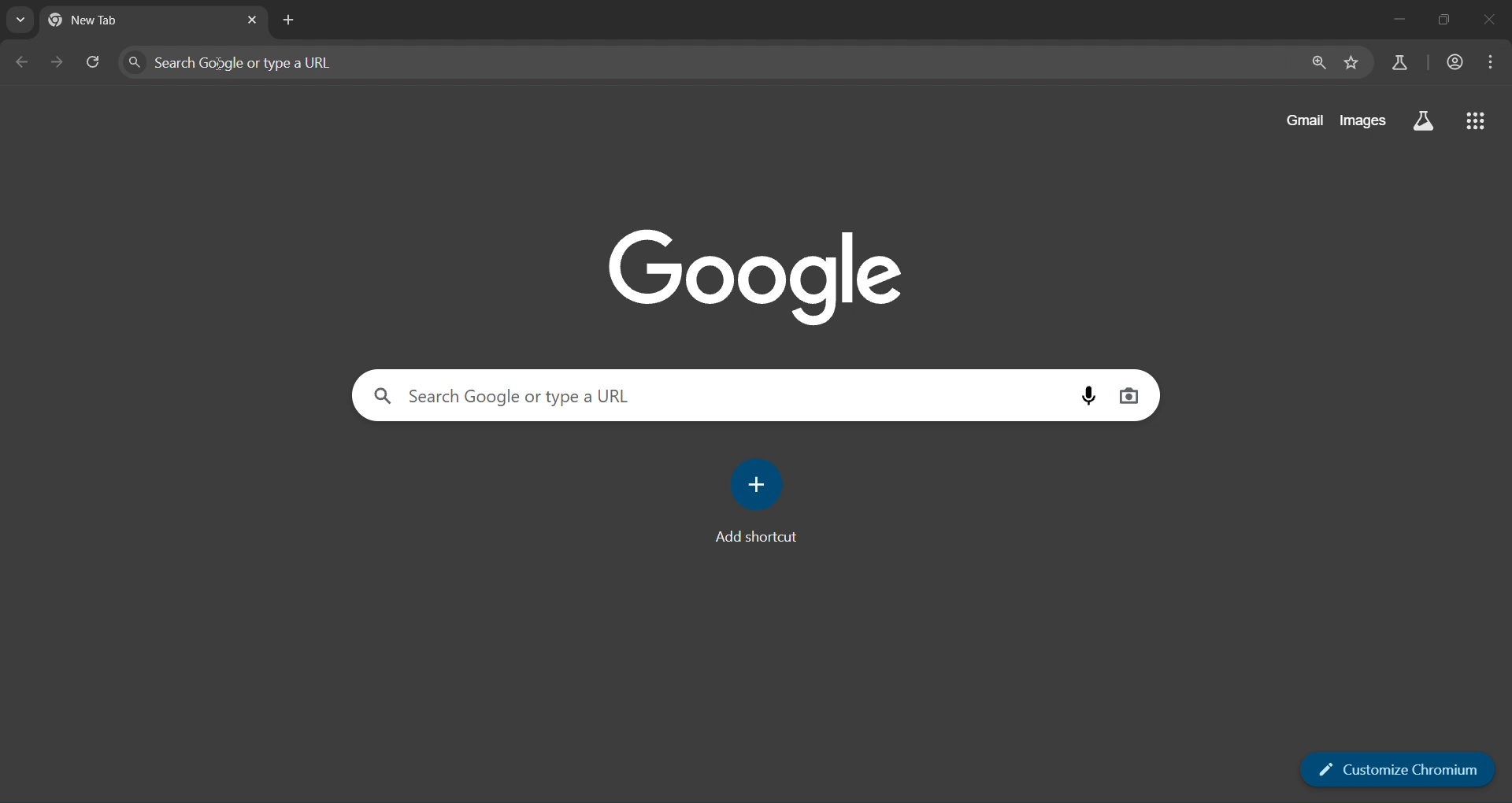 This screenshot has height=803, width=1512. I want to click on image search, so click(1092, 398).